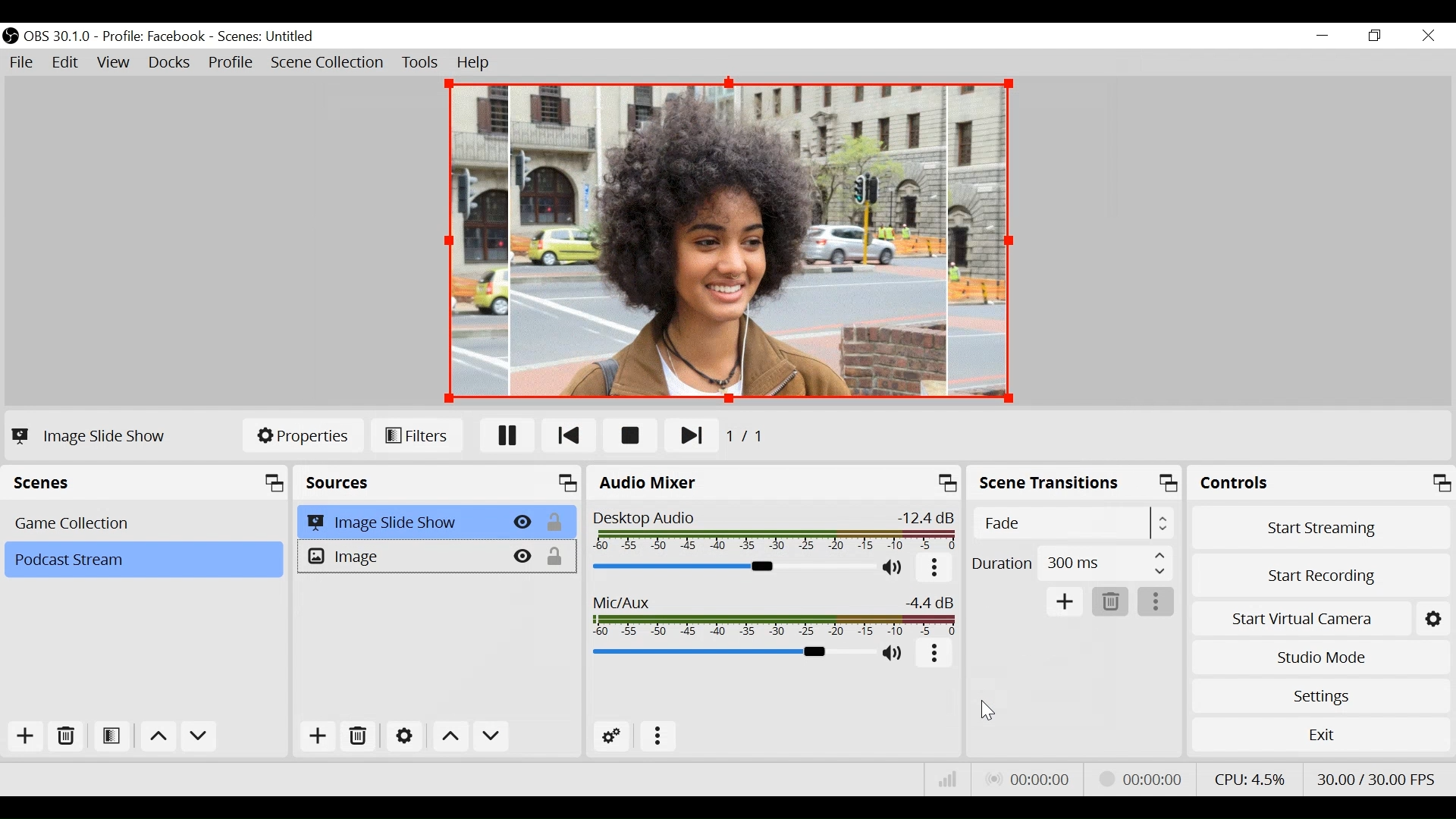 The width and height of the screenshot is (1456, 819). Describe the element at coordinates (416, 435) in the screenshot. I see `Filters` at that location.